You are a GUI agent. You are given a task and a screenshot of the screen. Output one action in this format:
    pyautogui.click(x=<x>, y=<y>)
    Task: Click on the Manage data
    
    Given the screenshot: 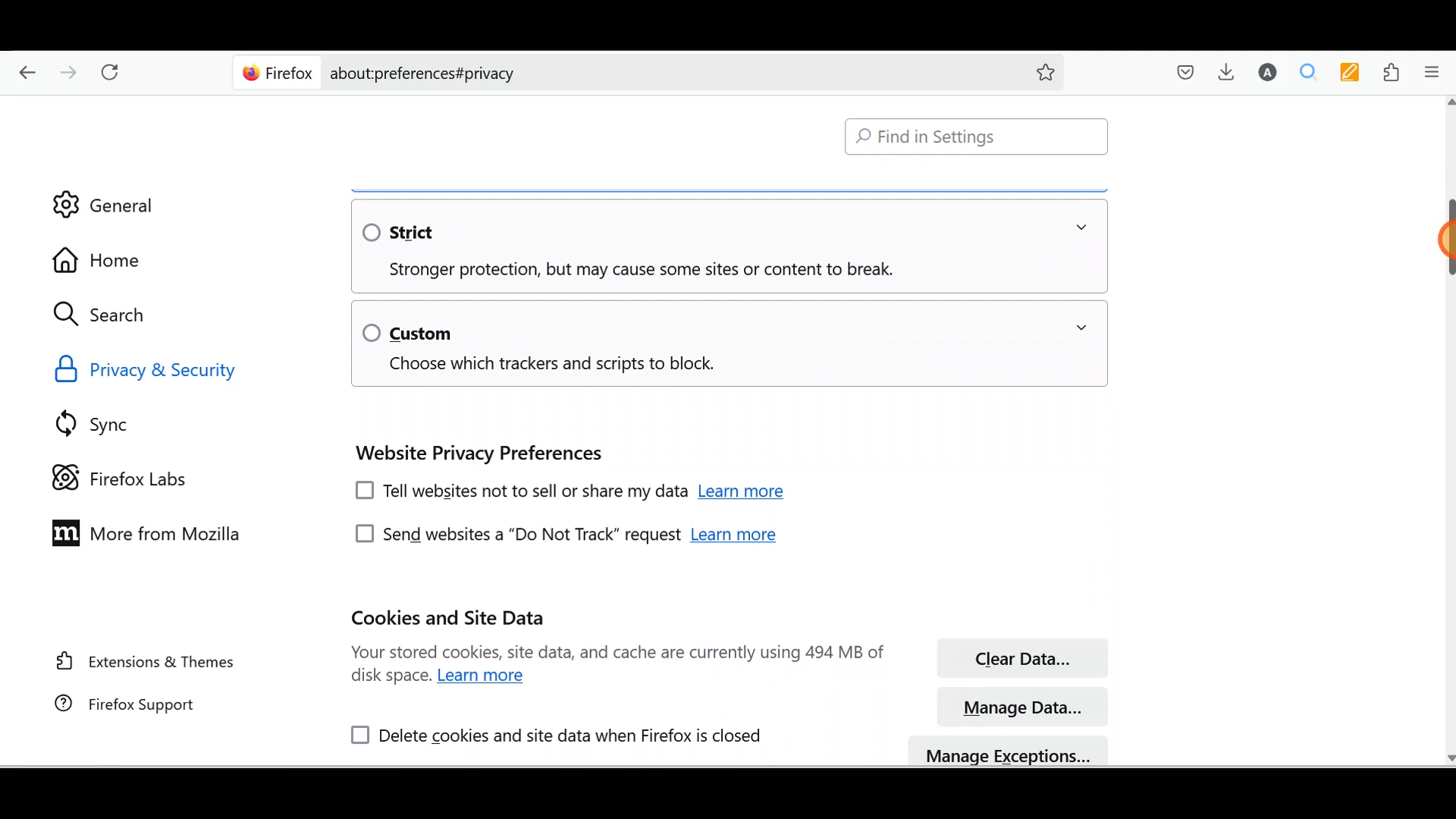 What is the action you would take?
    pyautogui.click(x=1021, y=708)
    